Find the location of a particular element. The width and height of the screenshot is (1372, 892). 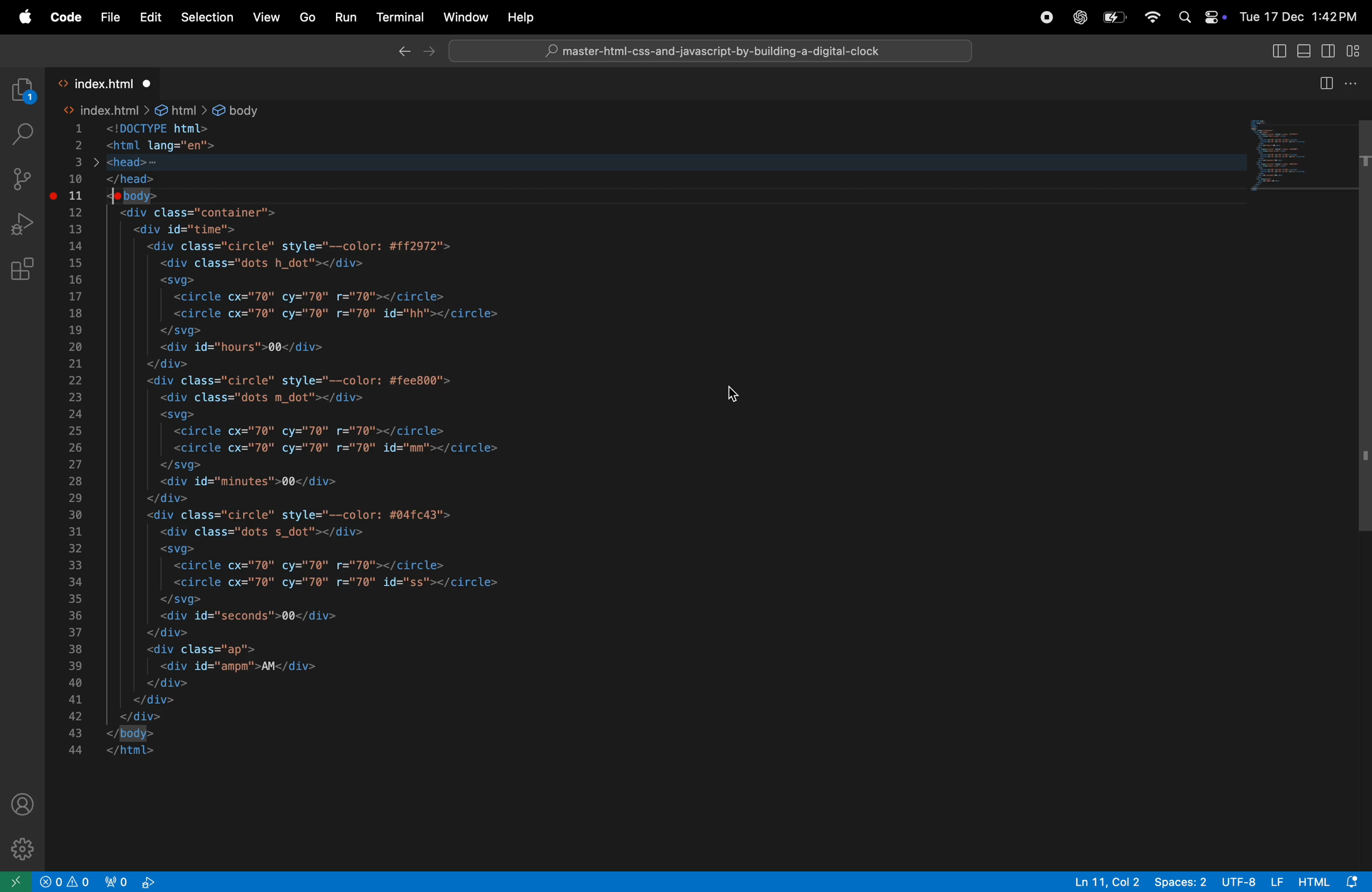

index.html file is located at coordinates (108, 82).